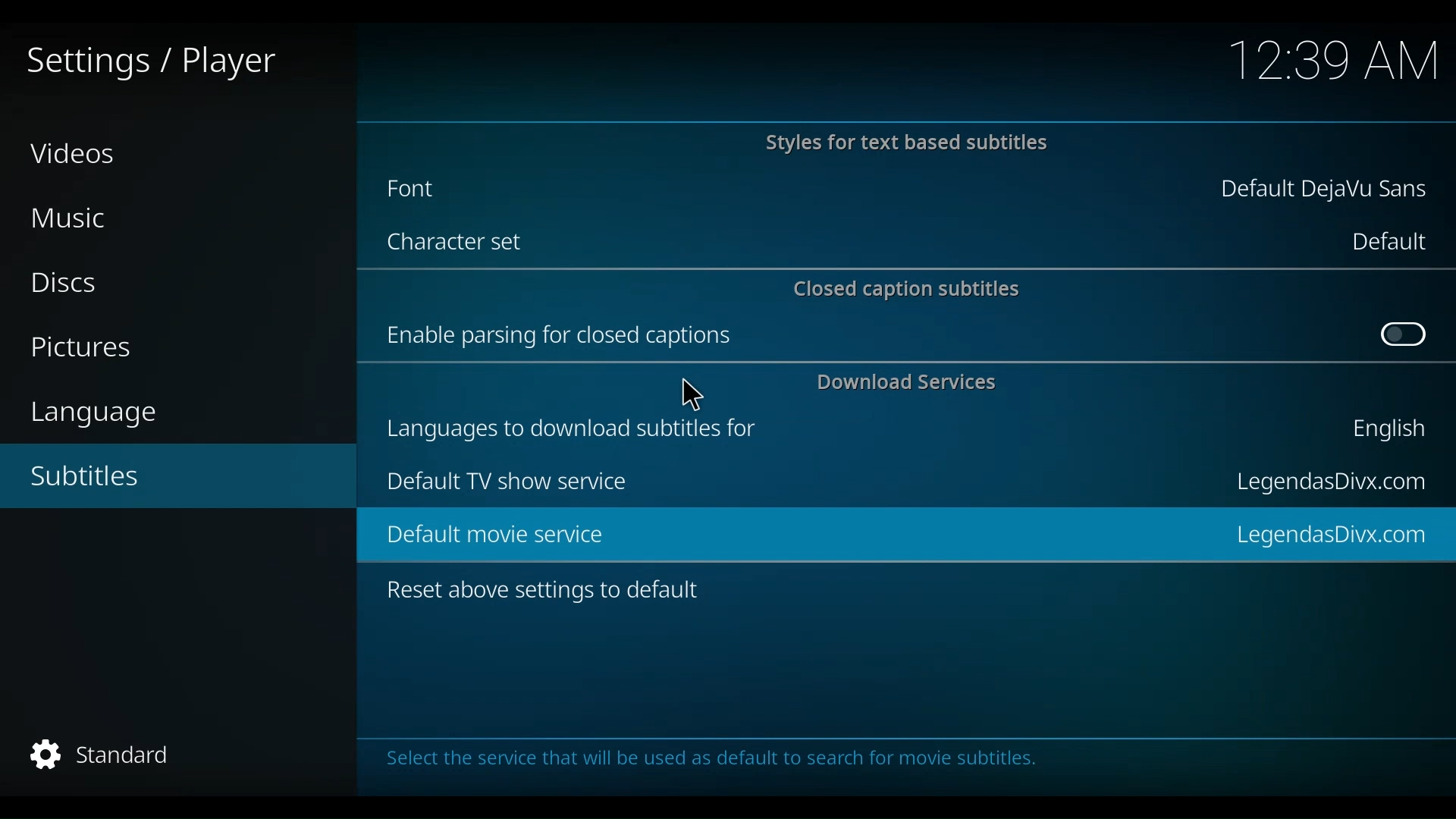  I want to click on Download Services, so click(911, 382).